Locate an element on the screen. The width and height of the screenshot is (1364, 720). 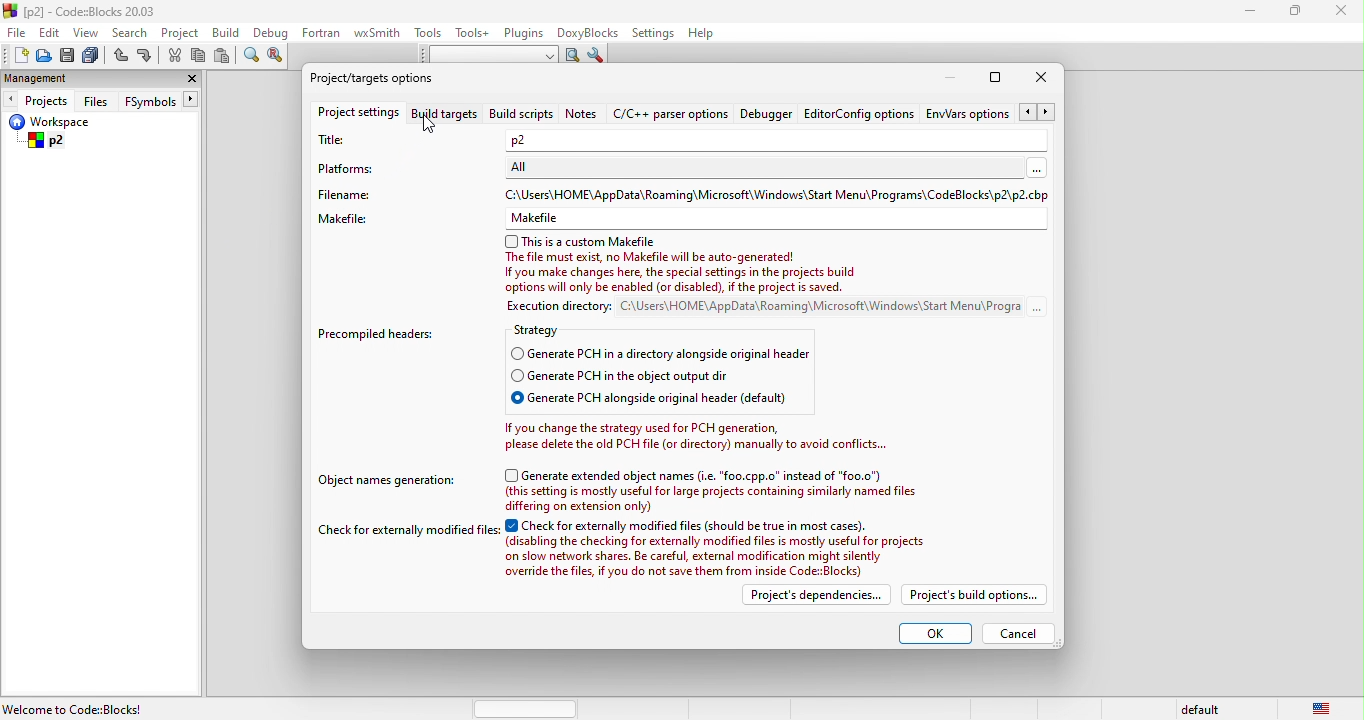
cursor movement is located at coordinates (434, 124).